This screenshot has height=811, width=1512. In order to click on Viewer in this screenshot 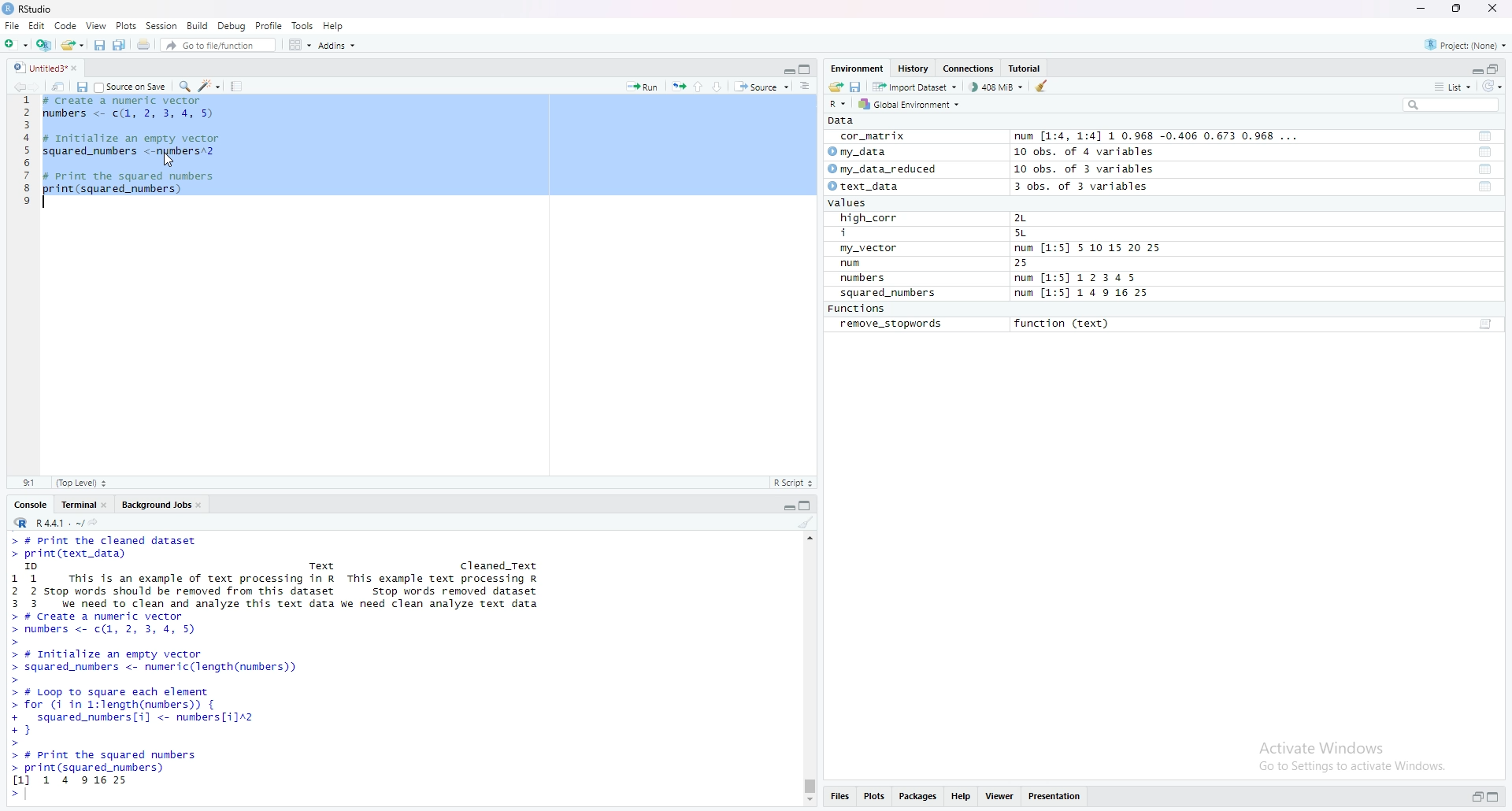, I will do `click(1000, 798)`.